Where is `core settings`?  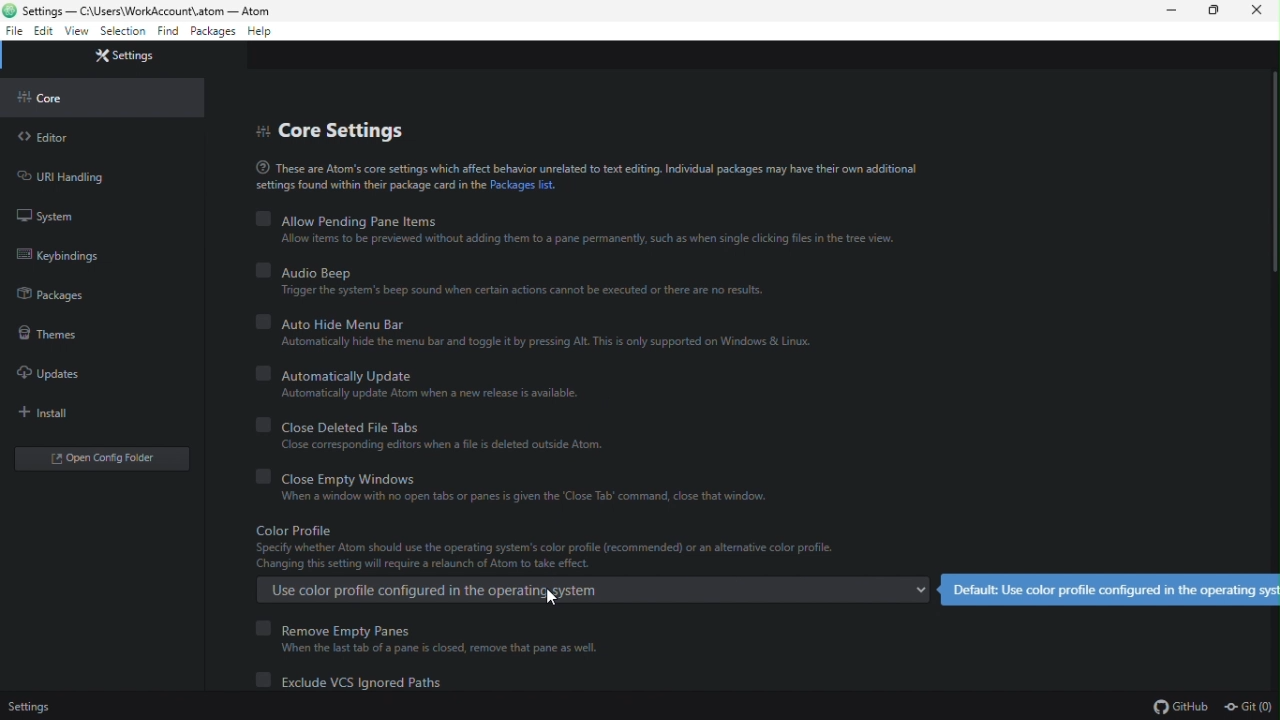
core settings is located at coordinates (336, 128).